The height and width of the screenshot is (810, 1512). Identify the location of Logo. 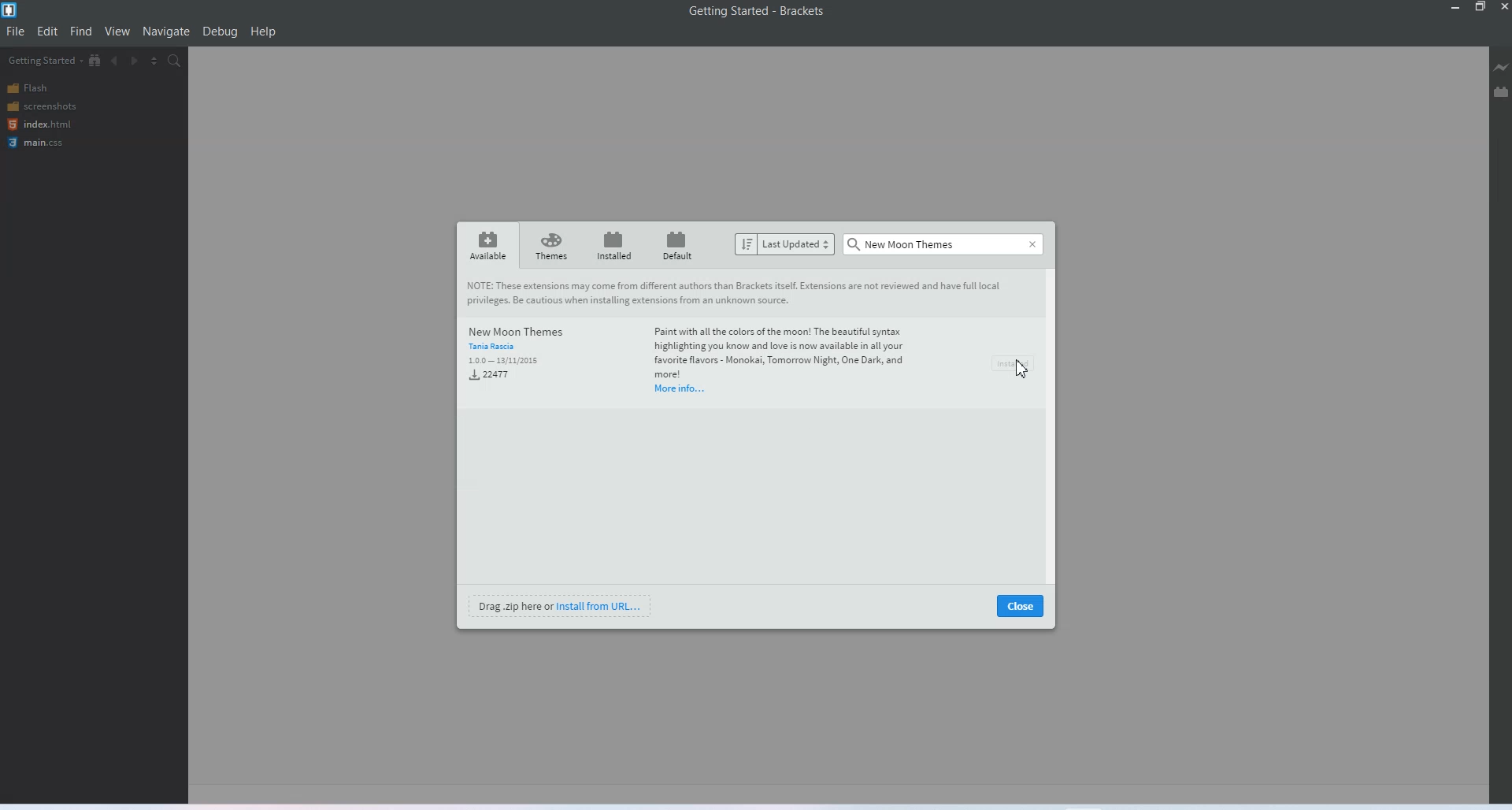
(11, 10).